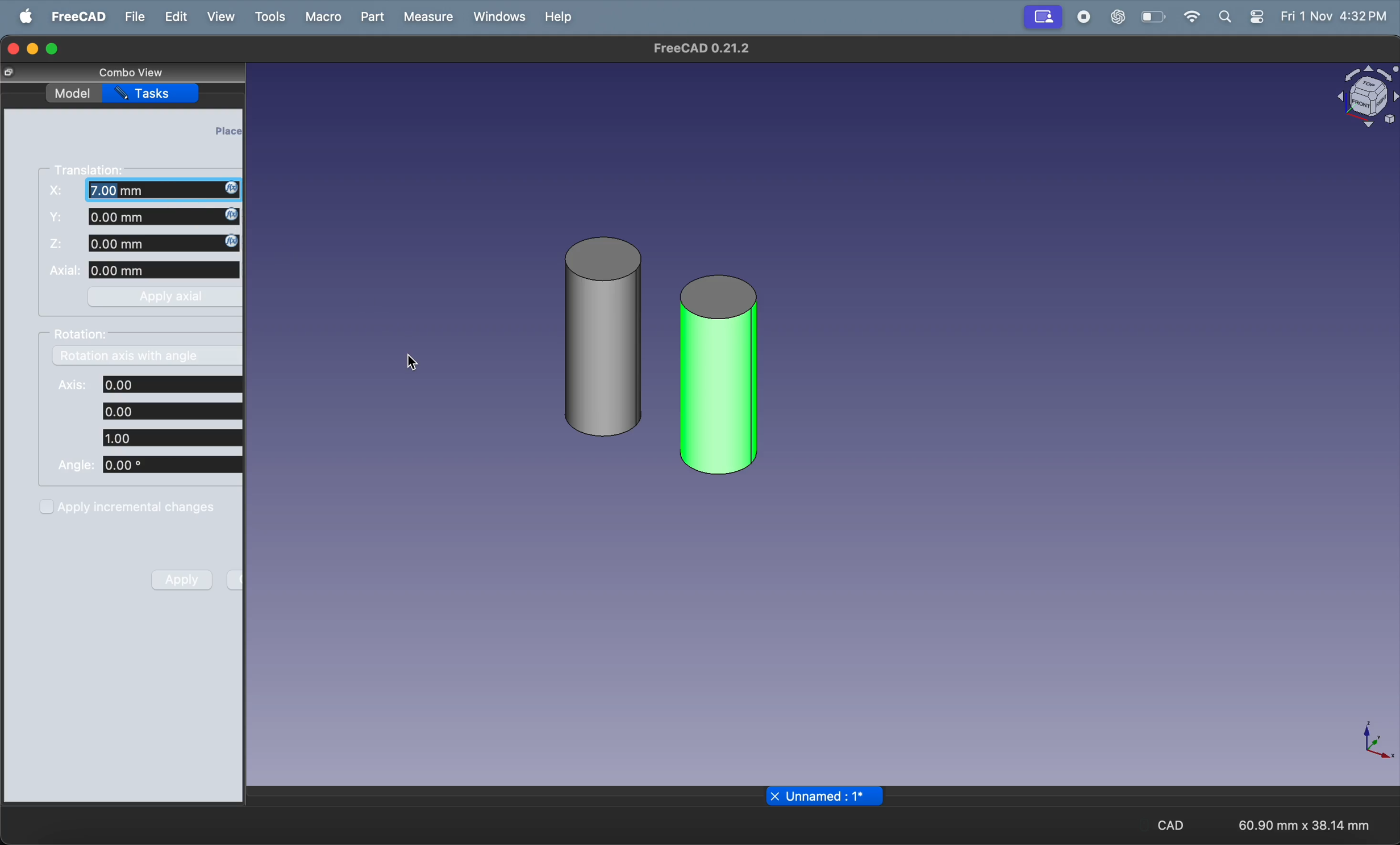 This screenshot has width=1400, height=845. I want to click on axial length, so click(166, 270).